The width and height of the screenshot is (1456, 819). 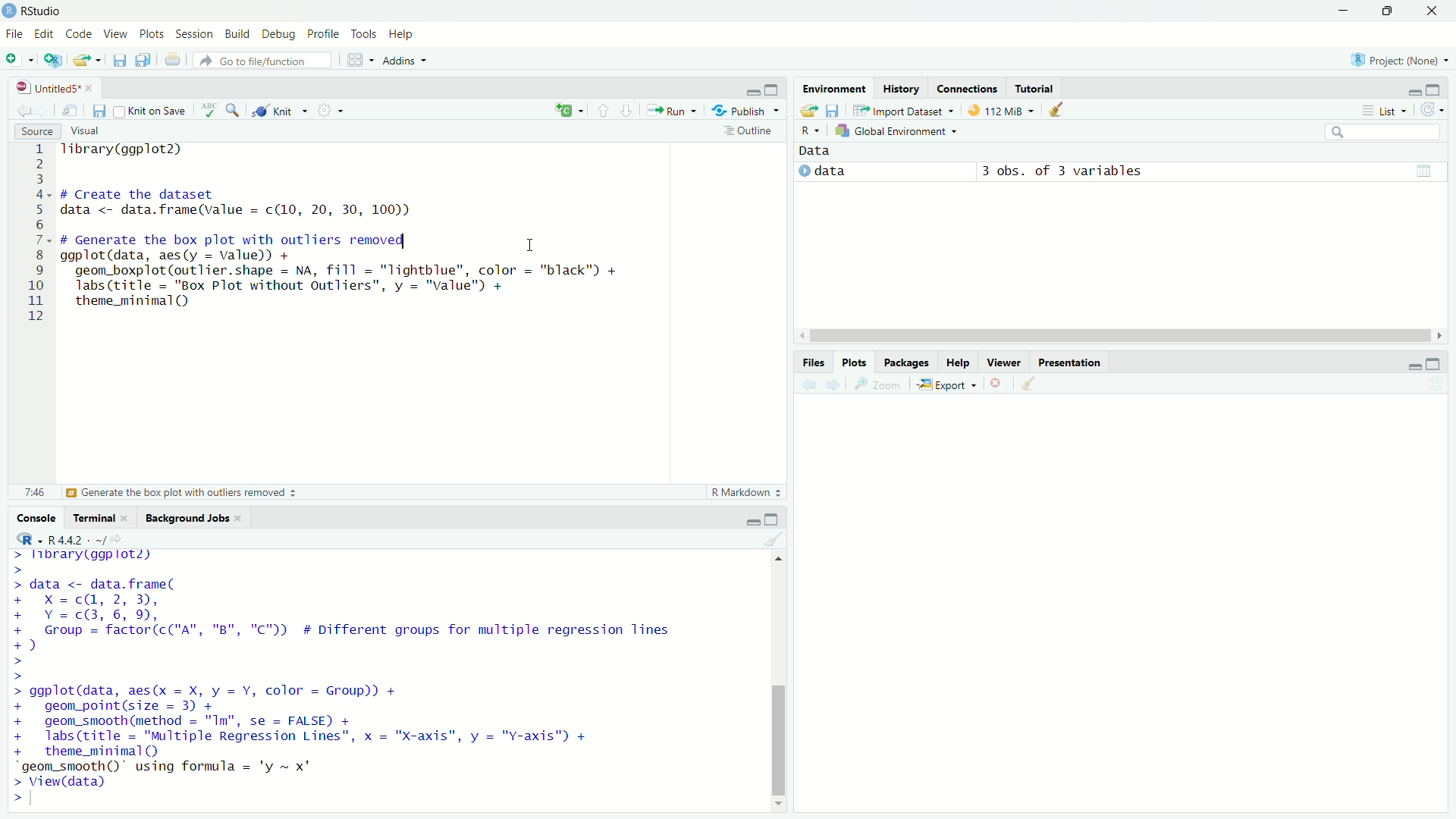 What do you see at coordinates (280, 35) in the screenshot?
I see `I Debug` at bounding box center [280, 35].